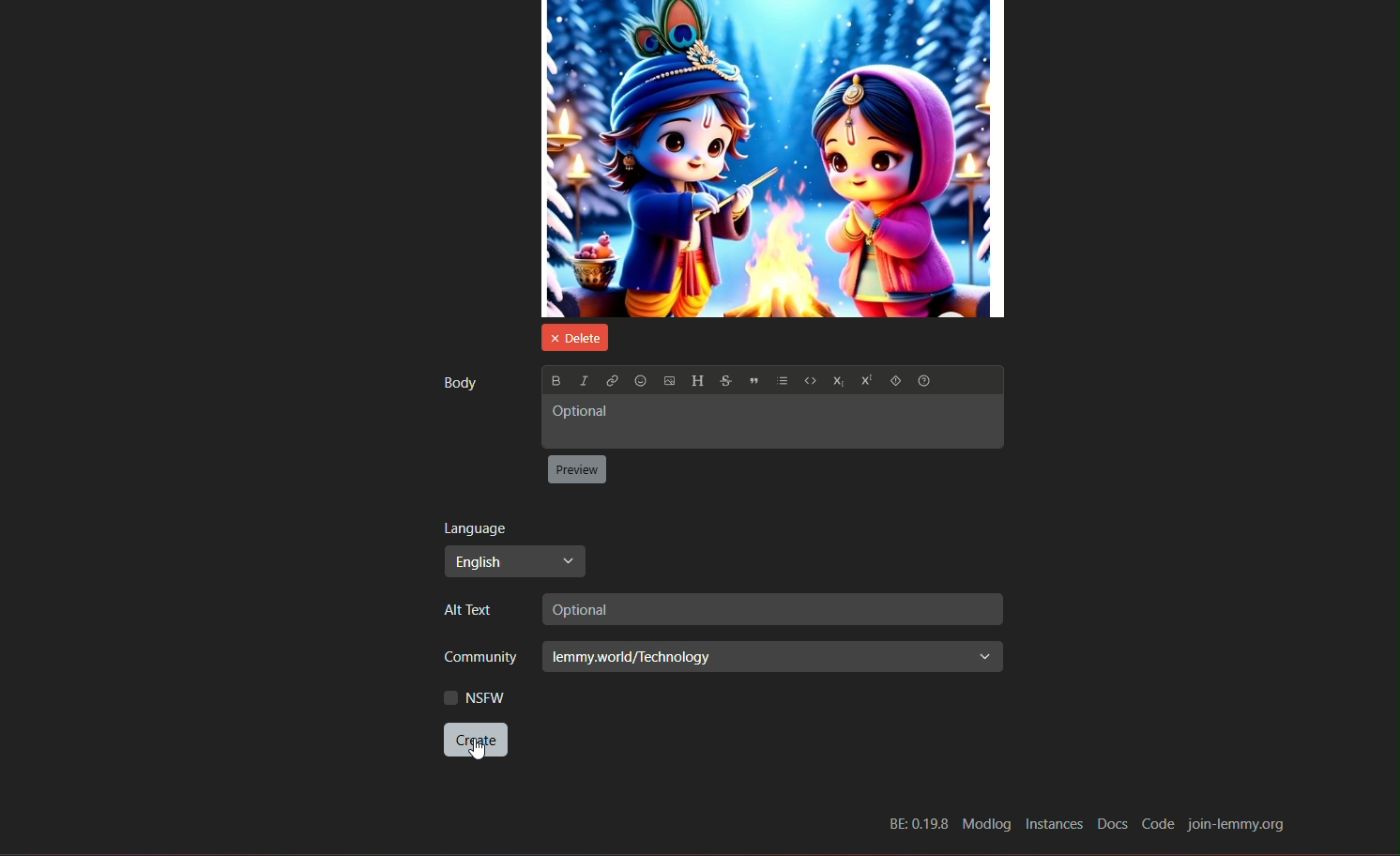 The width and height of the screenshot is (1400, 856). What do you see at coordinates (555, 380) in the screenshot?
I see `bold` at bounding box center [555, 380].